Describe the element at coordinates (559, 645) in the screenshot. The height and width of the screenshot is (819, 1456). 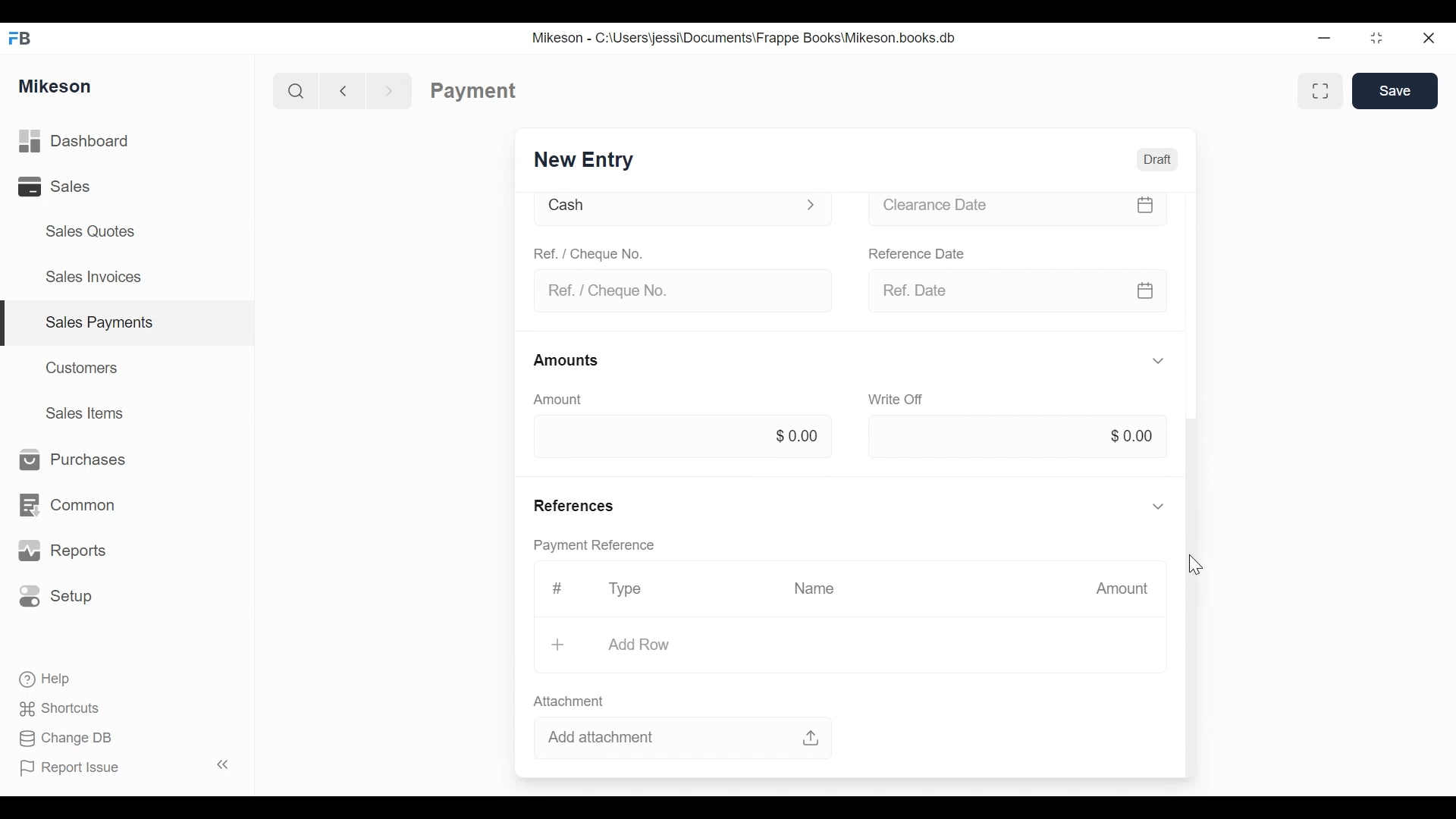
I see `+` at that location.